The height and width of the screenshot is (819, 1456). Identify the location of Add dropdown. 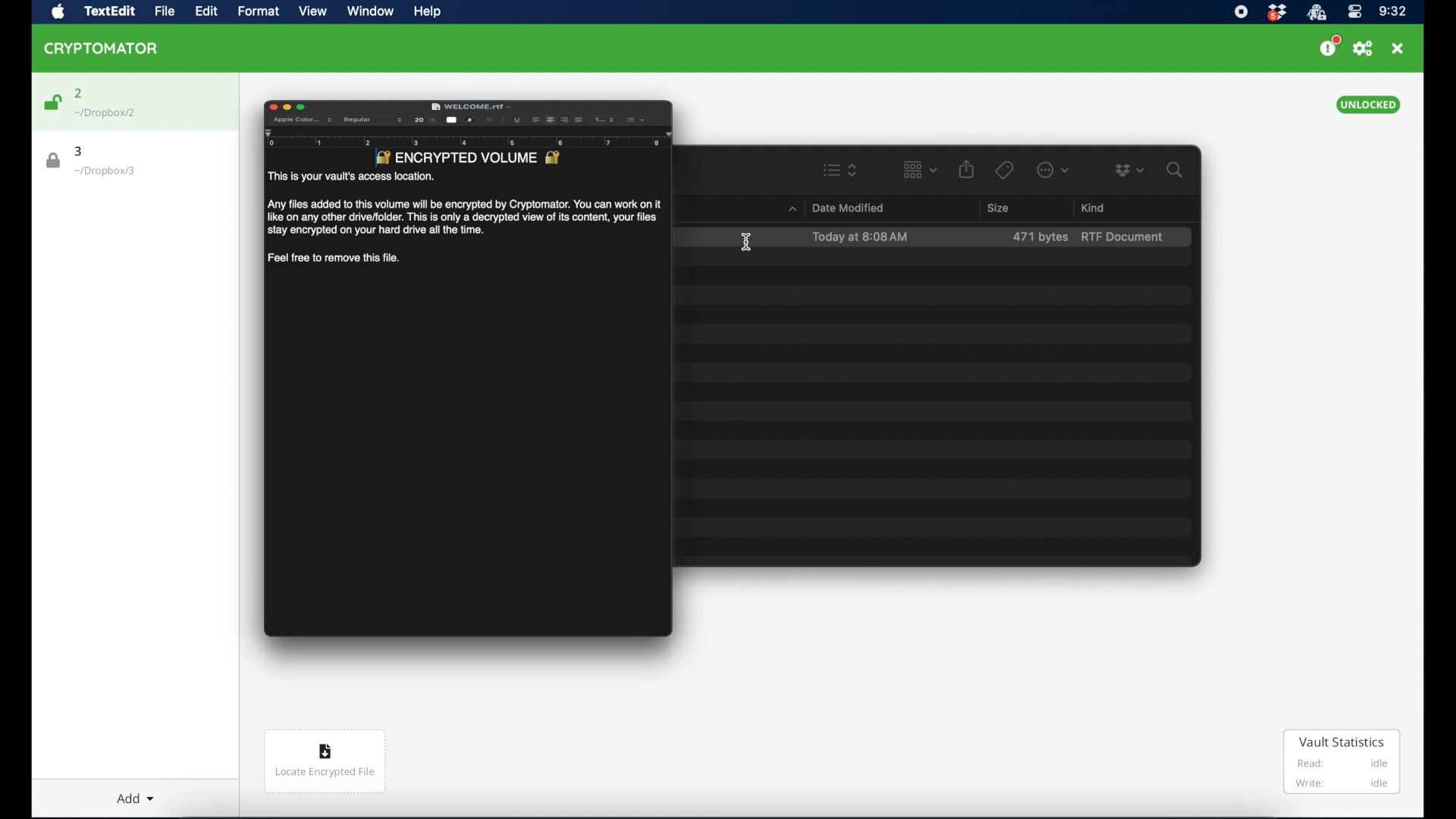
(140, 797).